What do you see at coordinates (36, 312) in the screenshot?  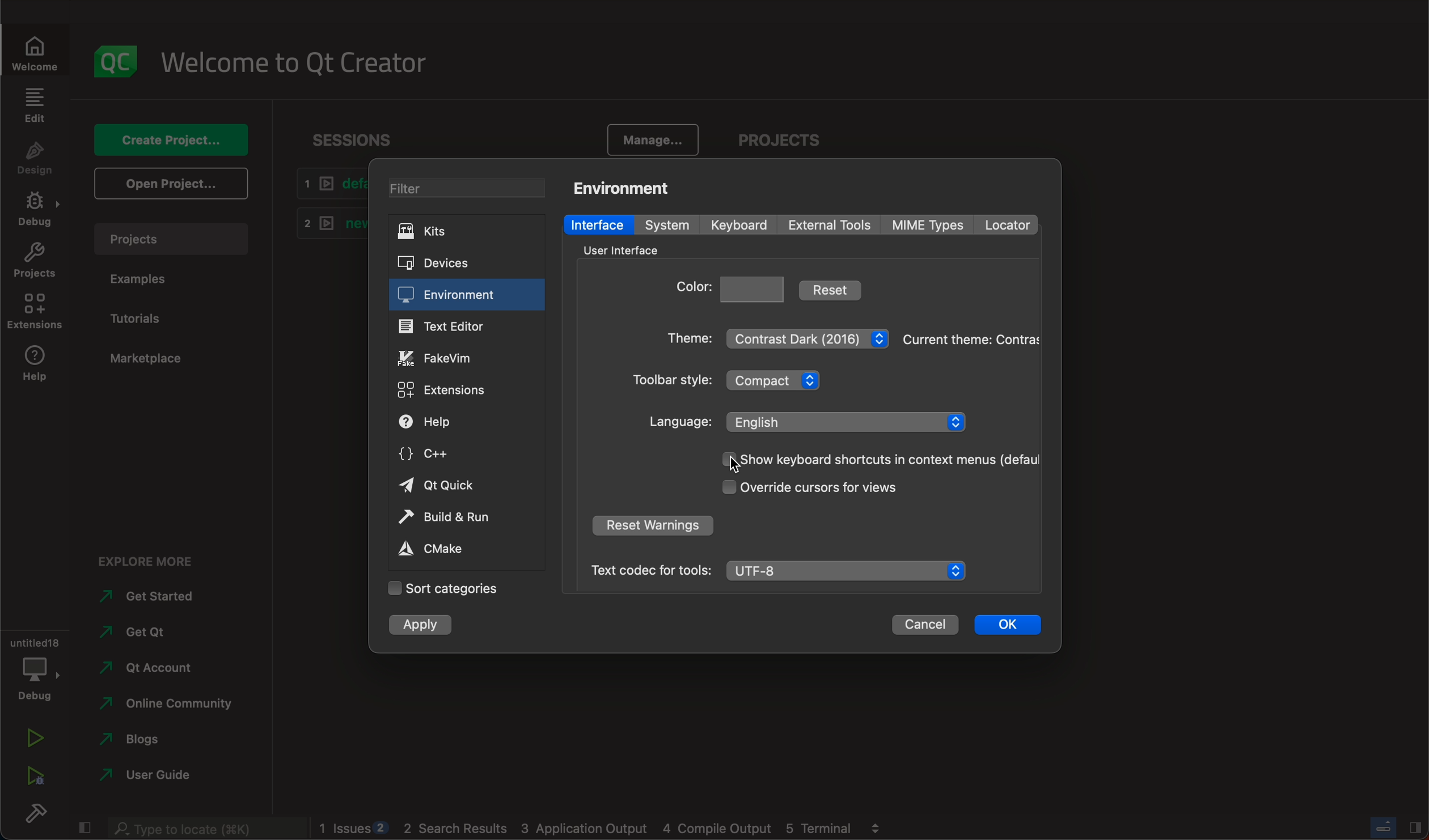 I see `extensions` at bounding box center [36, 312].